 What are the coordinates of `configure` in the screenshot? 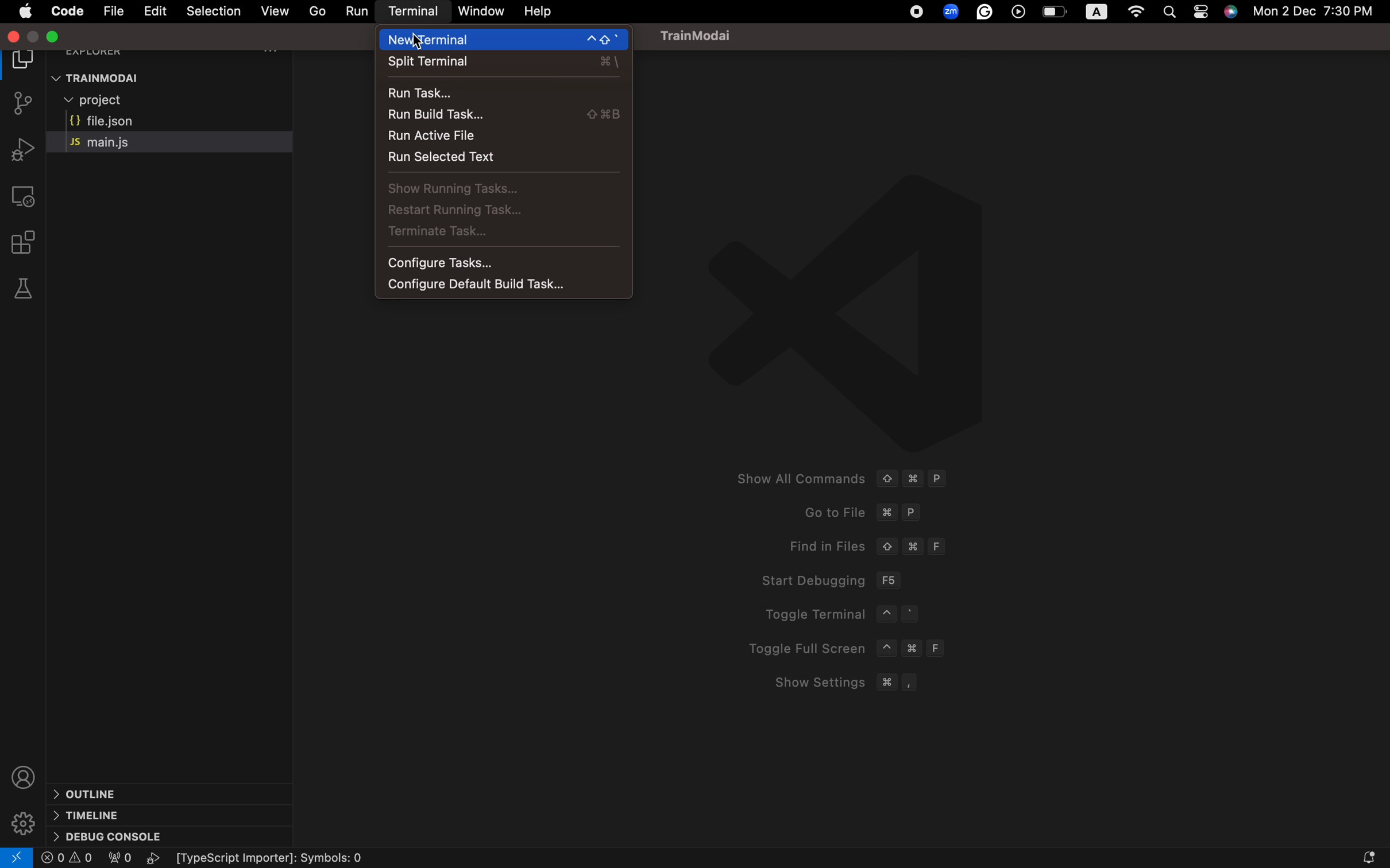 It's located at (501, 285).